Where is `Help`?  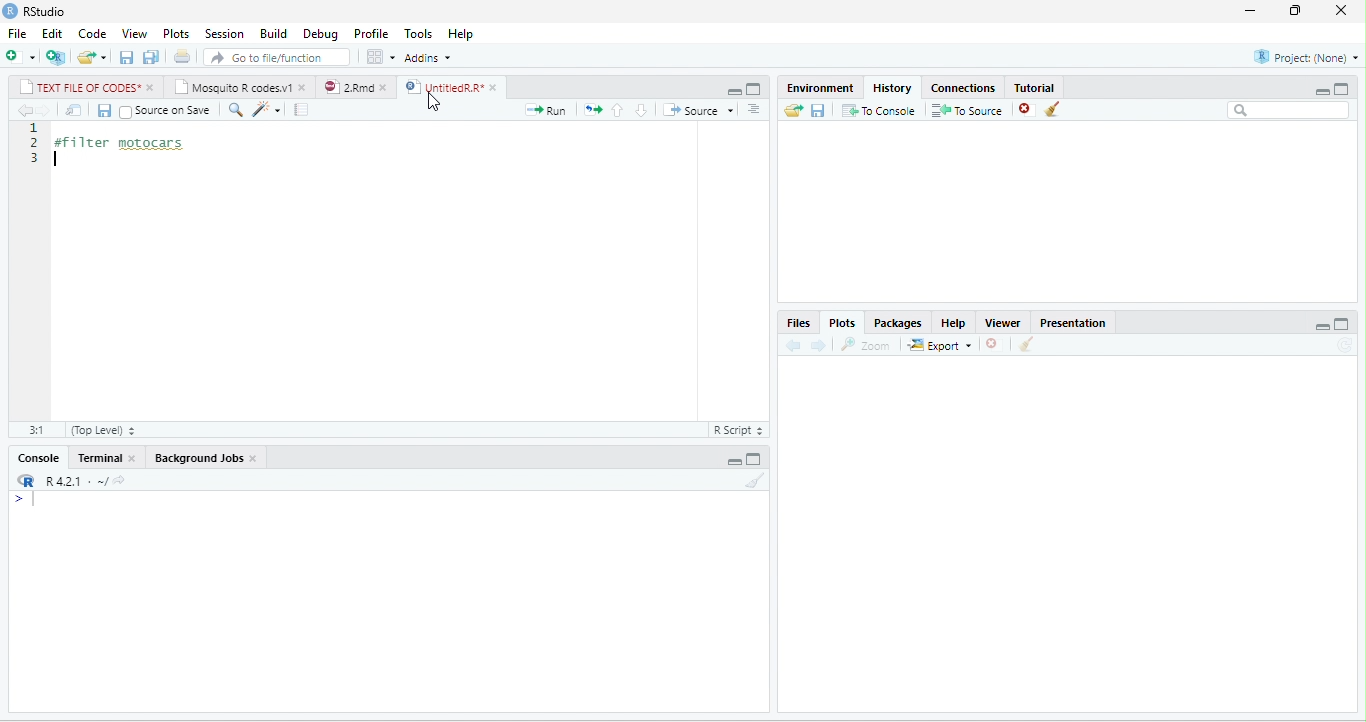 Help is located at coordinates (460, 34).